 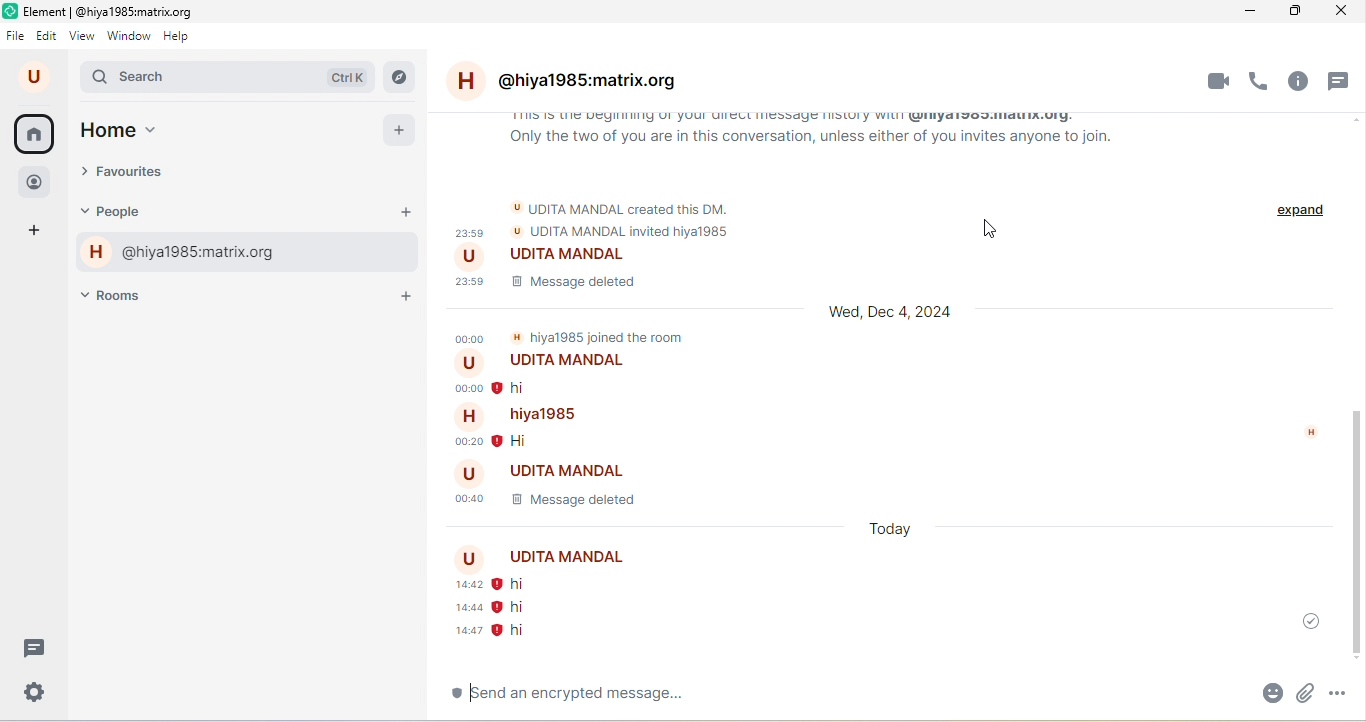 I want to click on udita mandal, so click(x=551, y=558).